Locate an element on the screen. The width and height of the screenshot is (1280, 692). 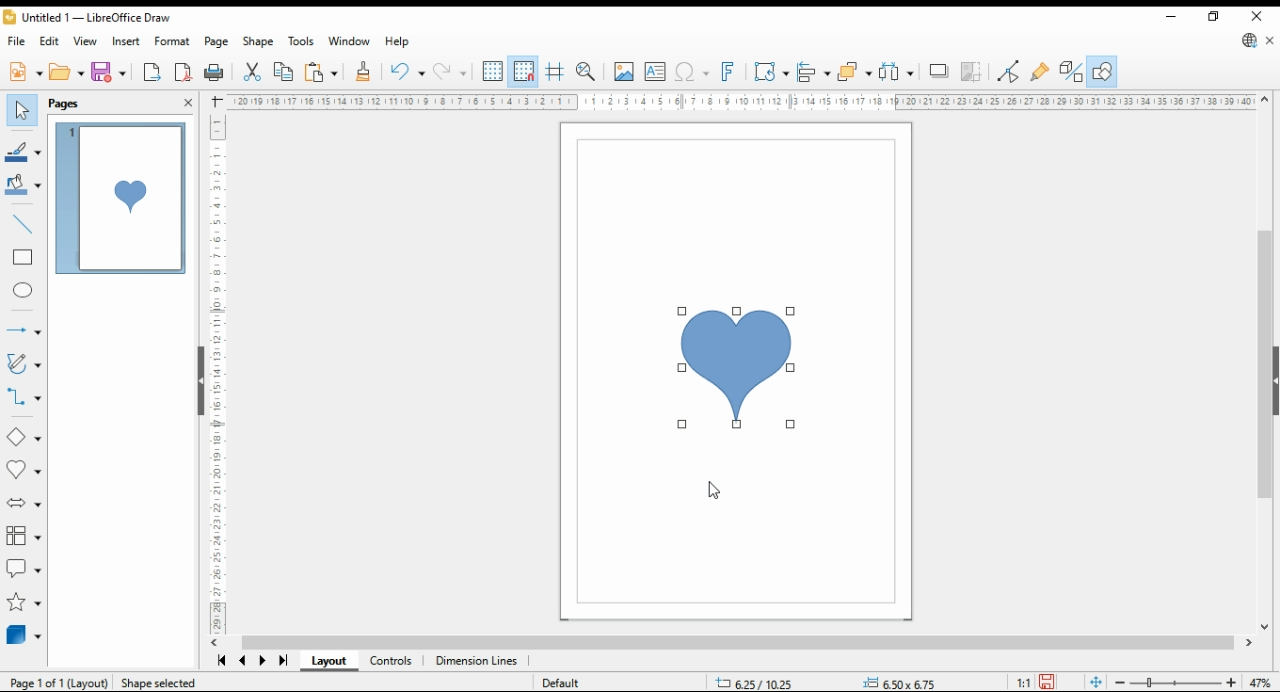
first page is located at coordinates (222, 661).